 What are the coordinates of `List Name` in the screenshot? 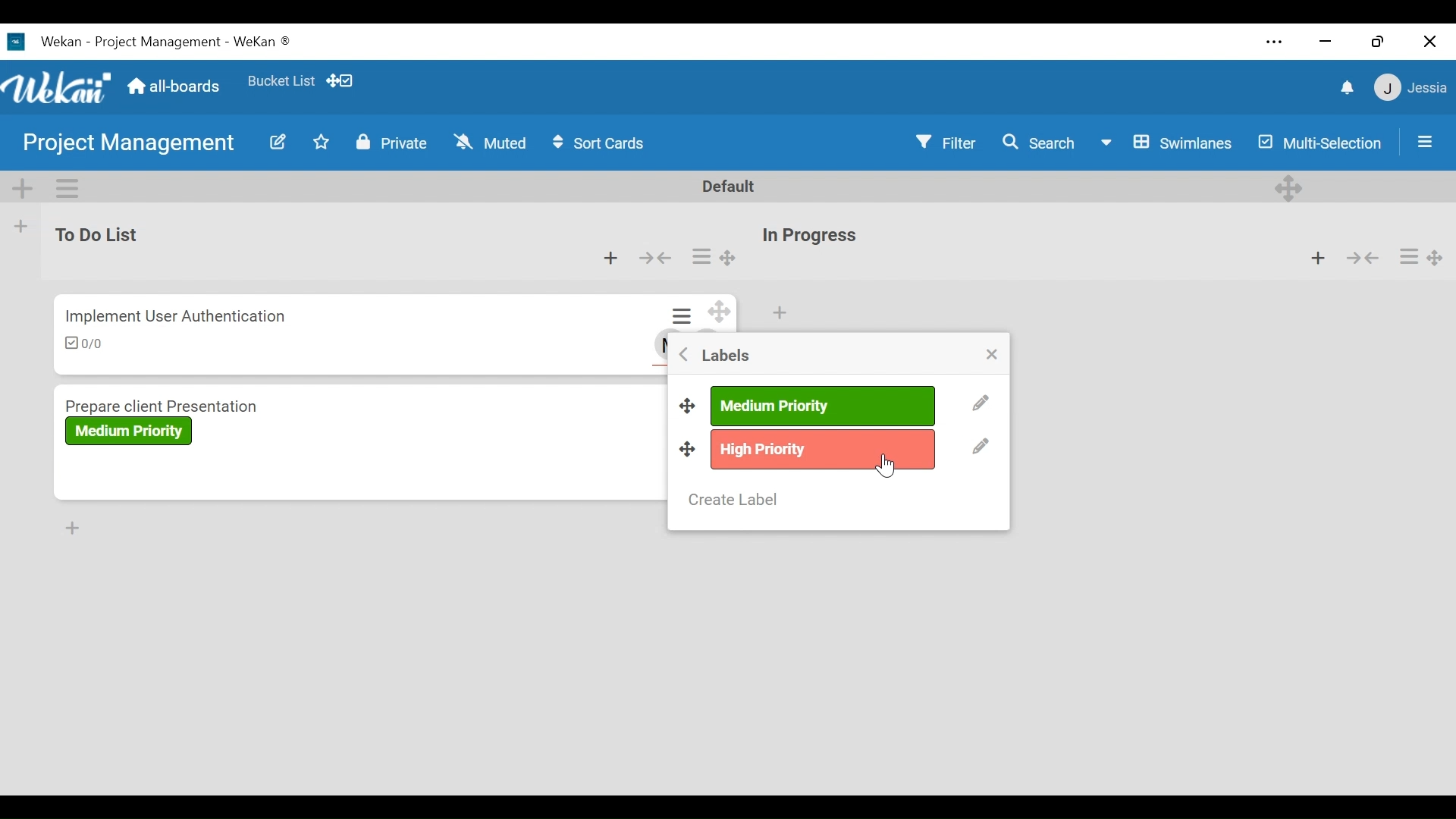 It's located at (808, 236).